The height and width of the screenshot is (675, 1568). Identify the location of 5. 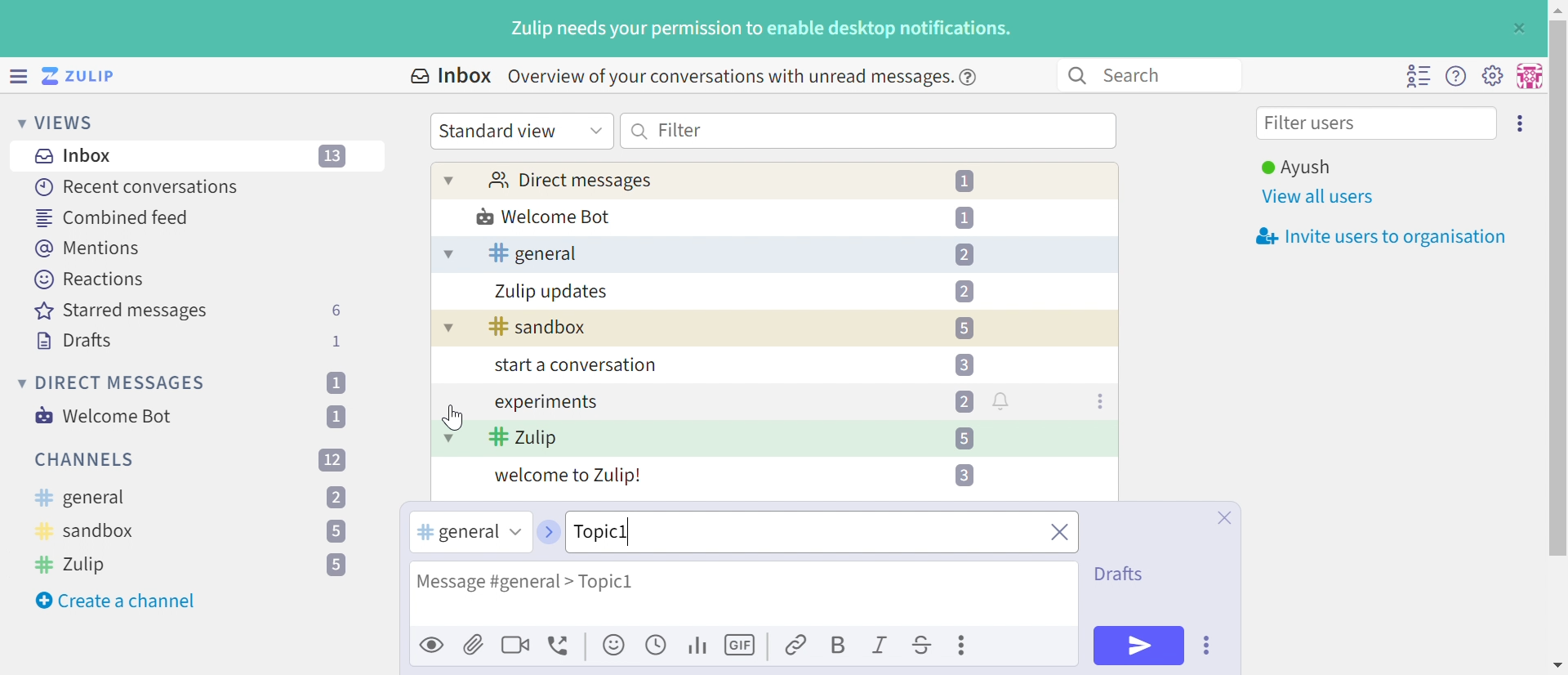
(336, 565).